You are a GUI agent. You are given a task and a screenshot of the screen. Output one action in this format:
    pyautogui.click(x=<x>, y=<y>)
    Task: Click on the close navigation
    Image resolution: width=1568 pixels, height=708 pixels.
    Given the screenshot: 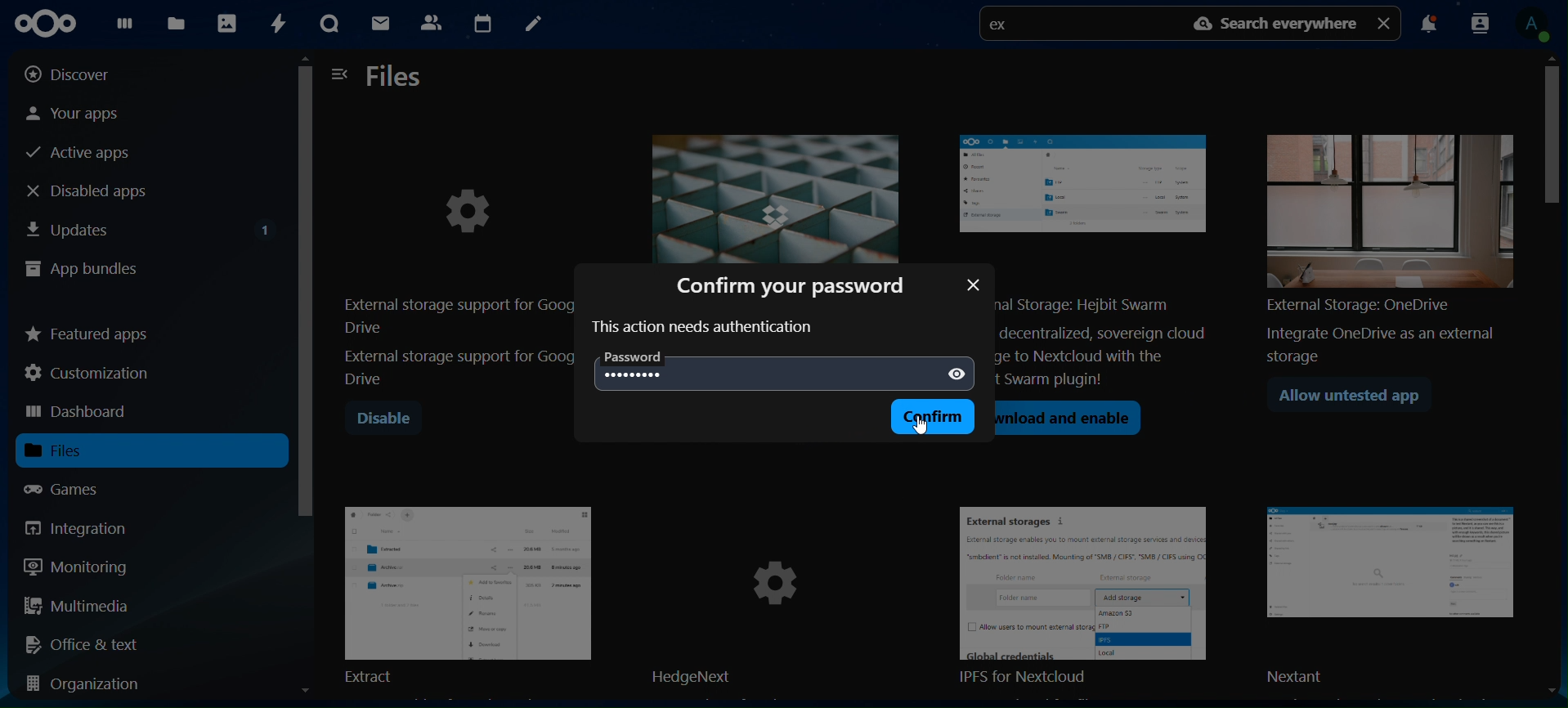 What is the action you would take?
    pyautogui.click(x=340, y=73)
    